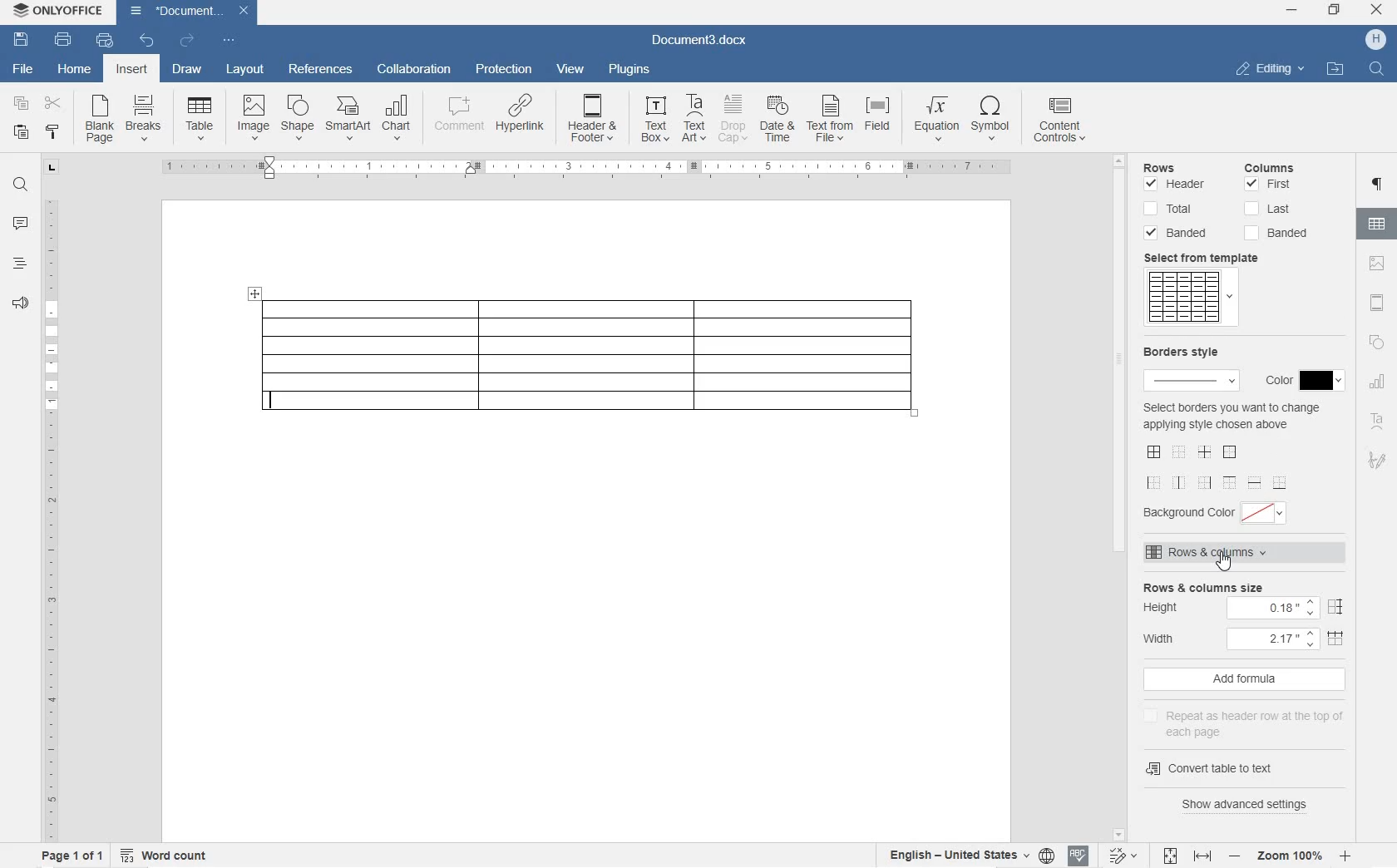 The image size is (1397, 868). What do you see at coordinates (1379, 264) in the screenshot?
I see `IMAGE SETTINGS` at bounding box center [1379, 264].